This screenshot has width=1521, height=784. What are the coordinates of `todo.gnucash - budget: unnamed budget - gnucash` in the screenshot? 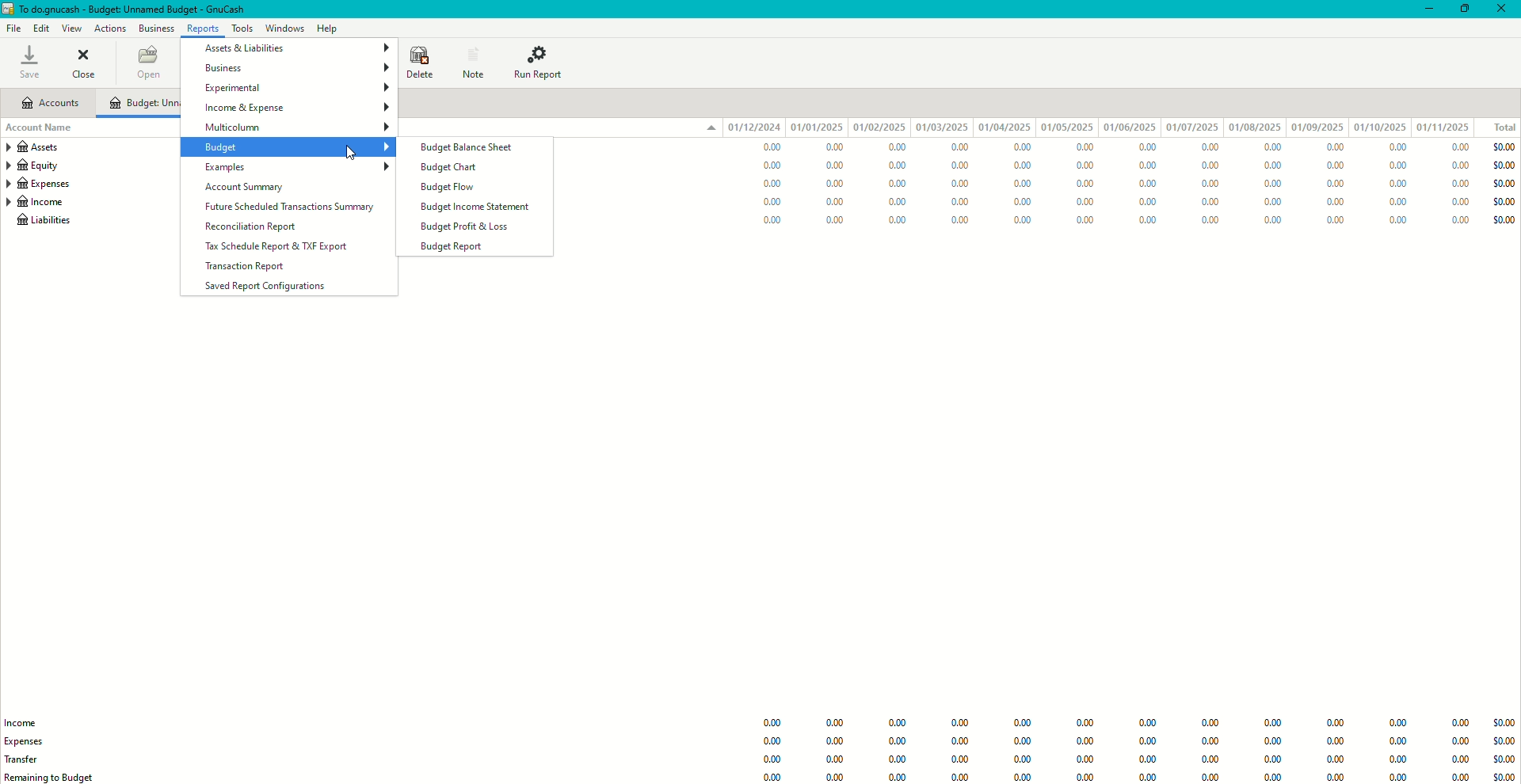 It's located at (131, 10).